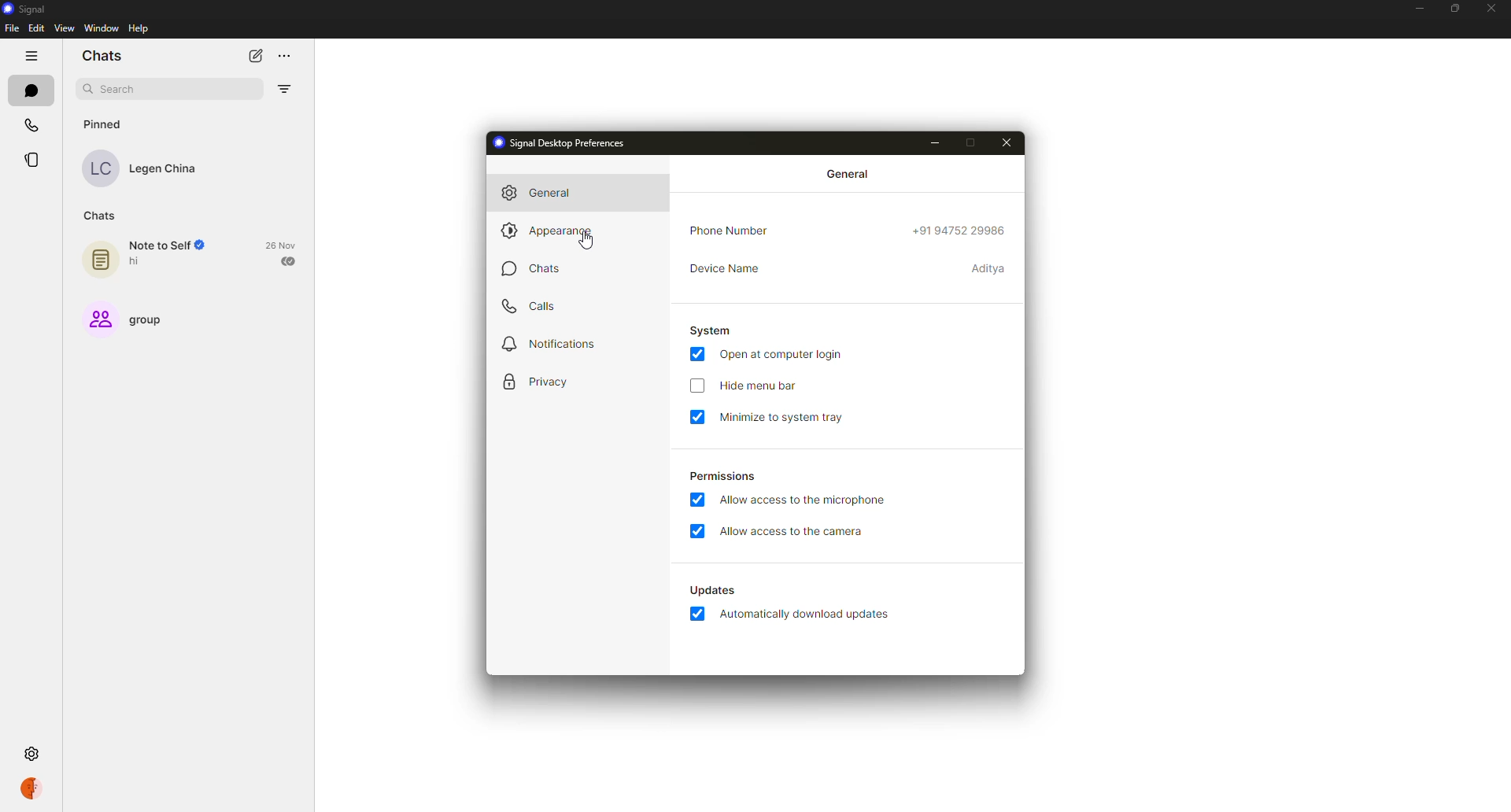 This screenshot has width=1511, height=812. I want to click on window, so click(101, 29).